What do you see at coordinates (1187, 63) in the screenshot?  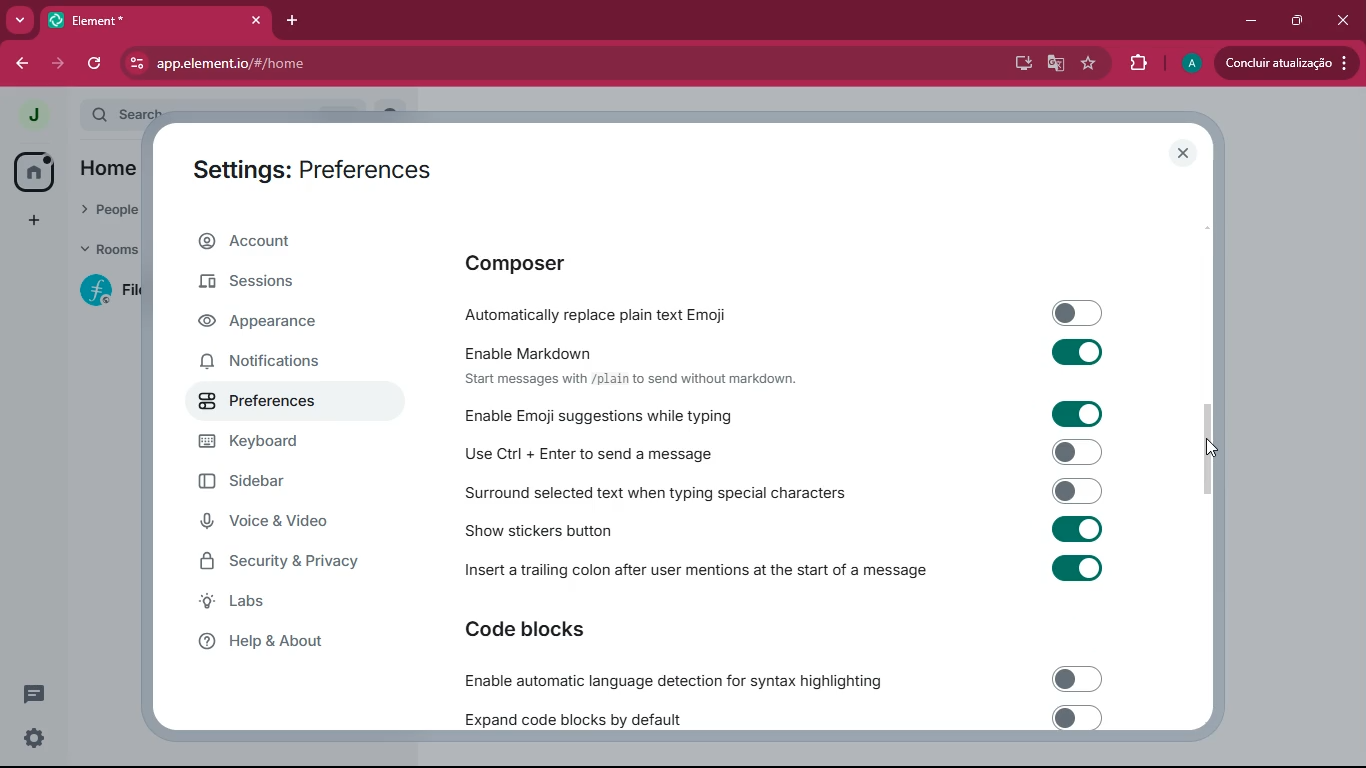 I see `profile` at bounding box center [1187, 63].